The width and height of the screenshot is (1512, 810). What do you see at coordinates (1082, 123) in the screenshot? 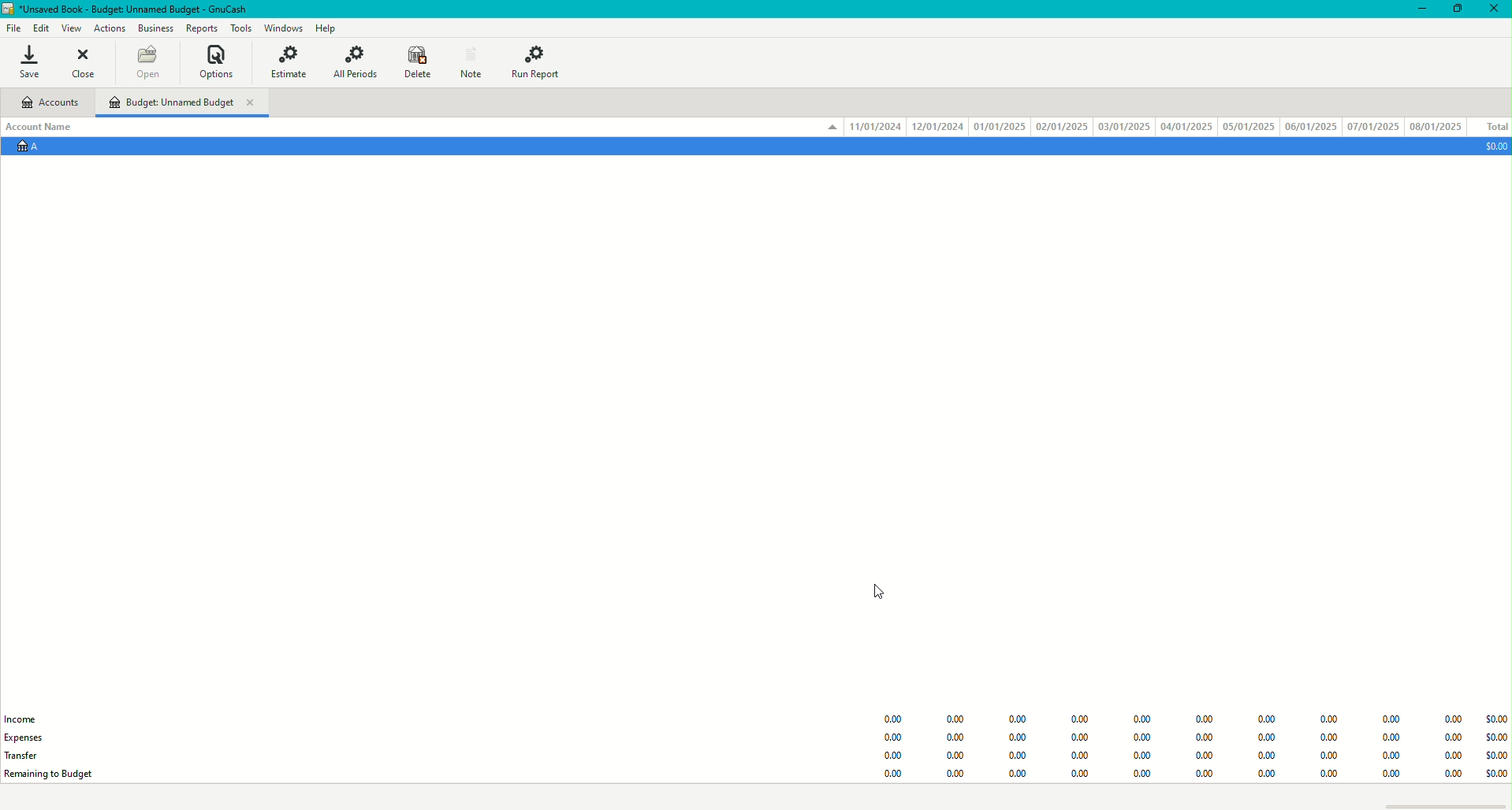
I see `Account Data` at bounding box center [1082, 123].